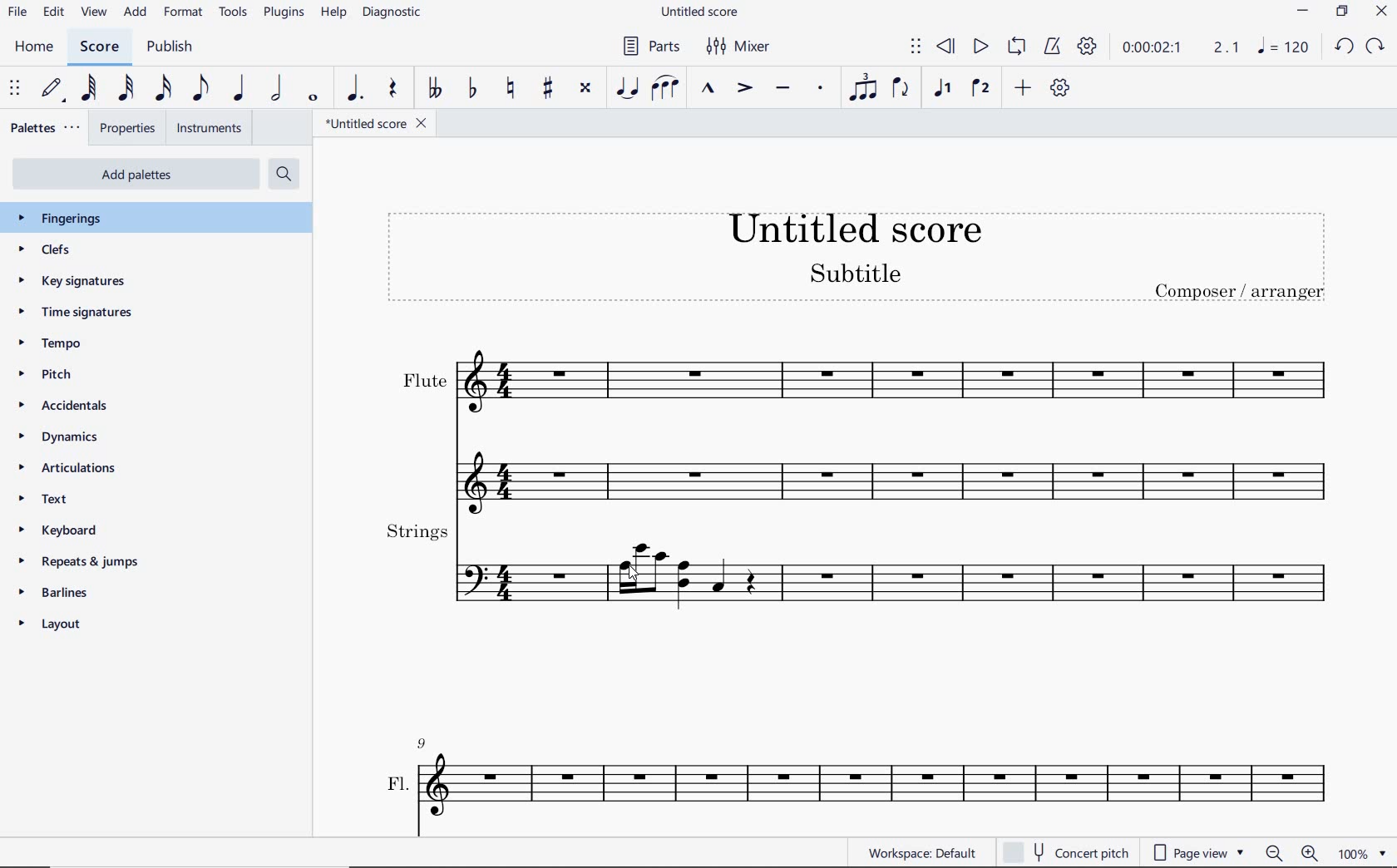 The image size is (1397, 868). Describe the element at coordinates (1375, 47) in the screenshot. I see `REDO` at that location.